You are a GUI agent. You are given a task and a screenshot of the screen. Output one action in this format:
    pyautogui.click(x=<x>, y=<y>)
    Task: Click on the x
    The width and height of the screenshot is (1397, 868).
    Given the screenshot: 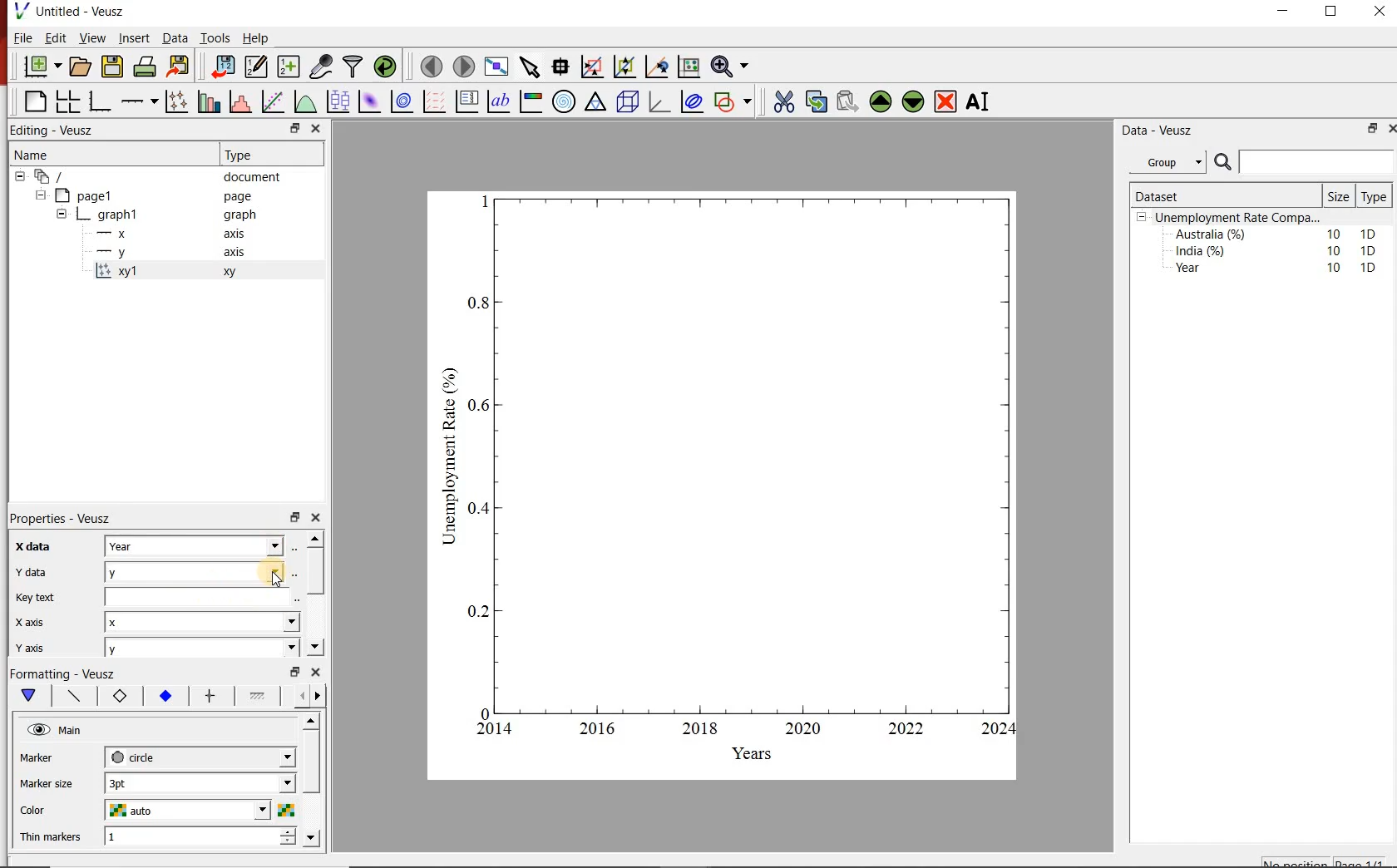 What is the action you would take?
    pyautogui.click(x=200, y=622)
    